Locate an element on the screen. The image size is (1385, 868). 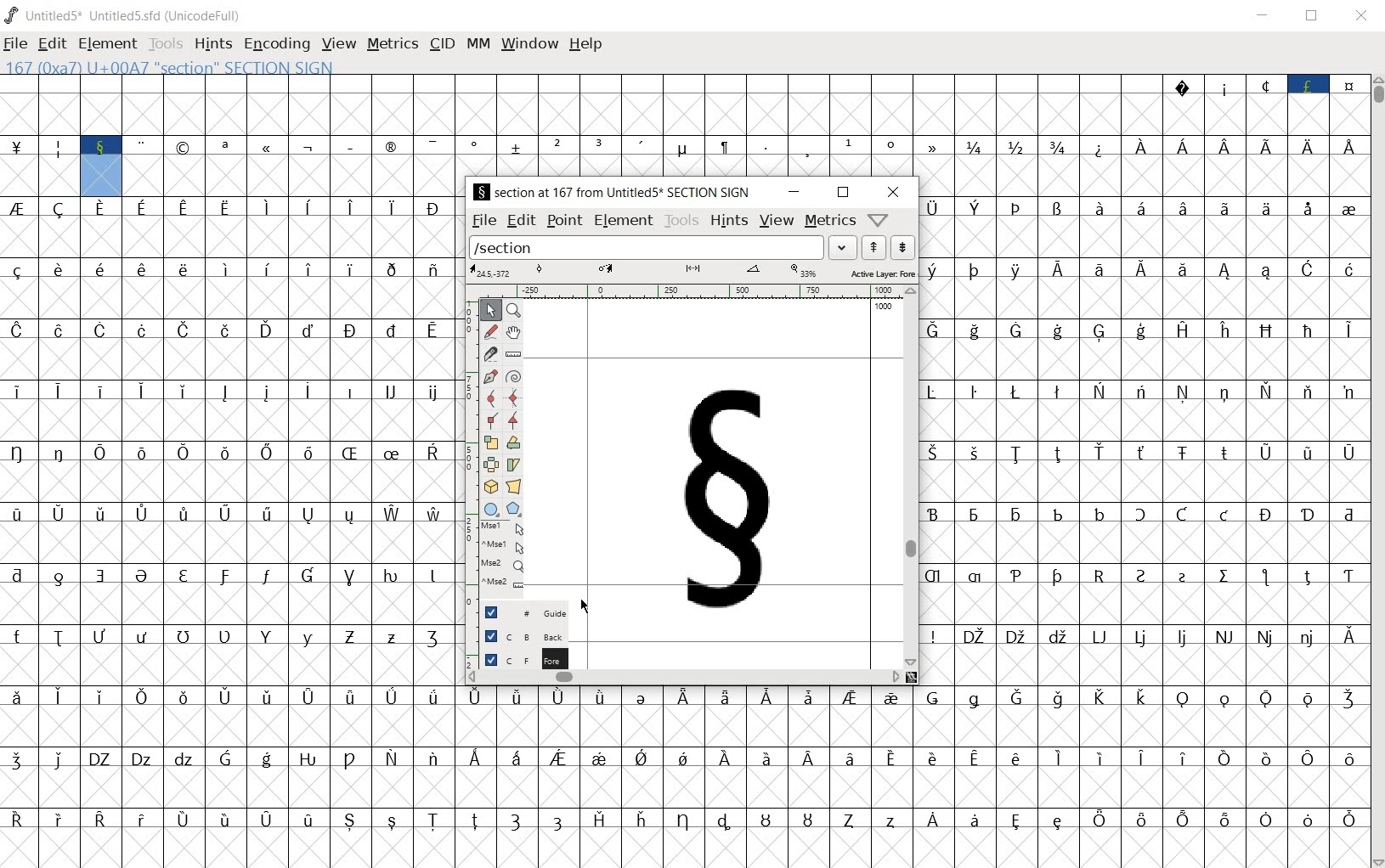
scrollbar is located at coordinates (911, 475).